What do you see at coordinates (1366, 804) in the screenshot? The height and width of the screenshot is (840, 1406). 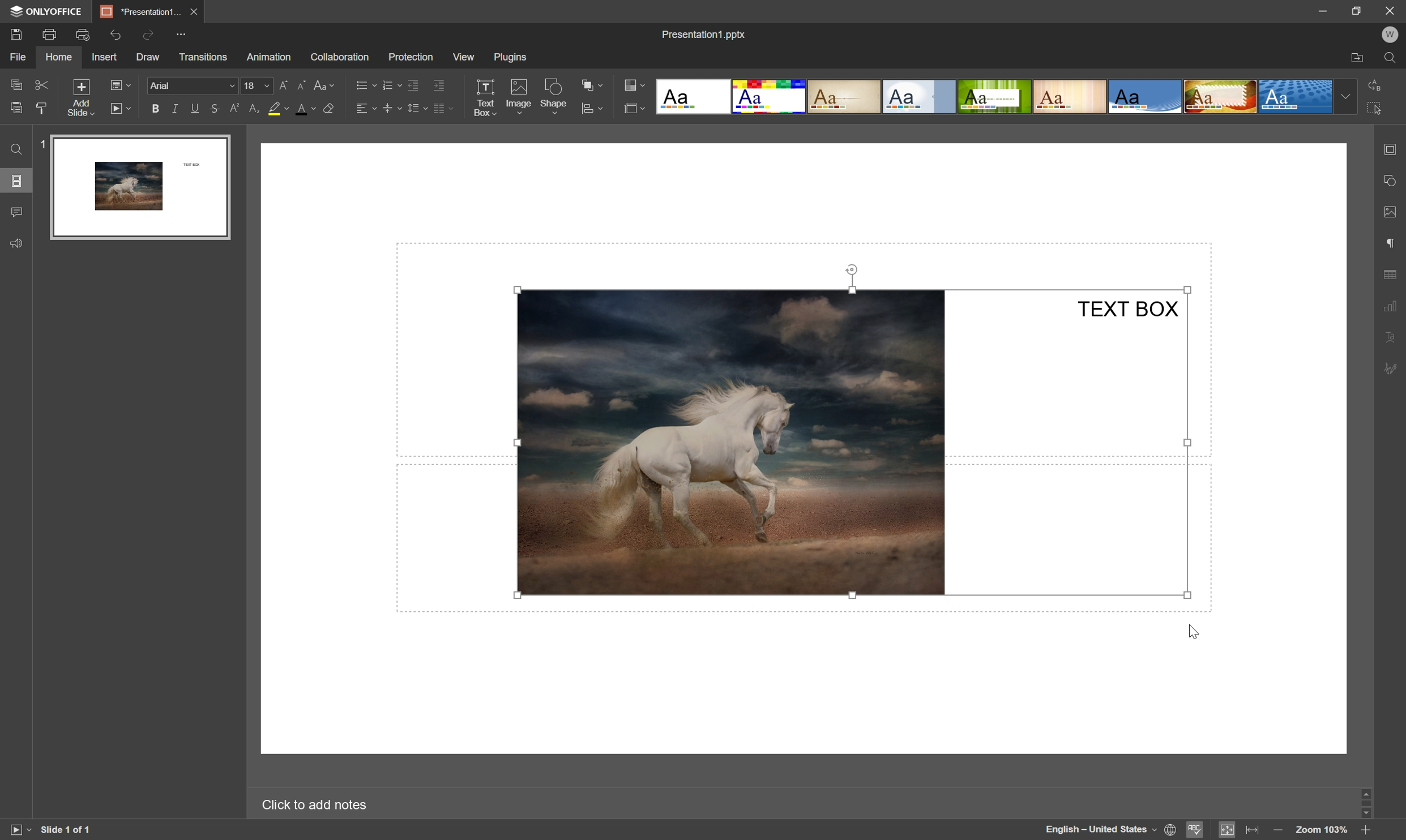 I see `scroll` at bounding box center [1366, 804].